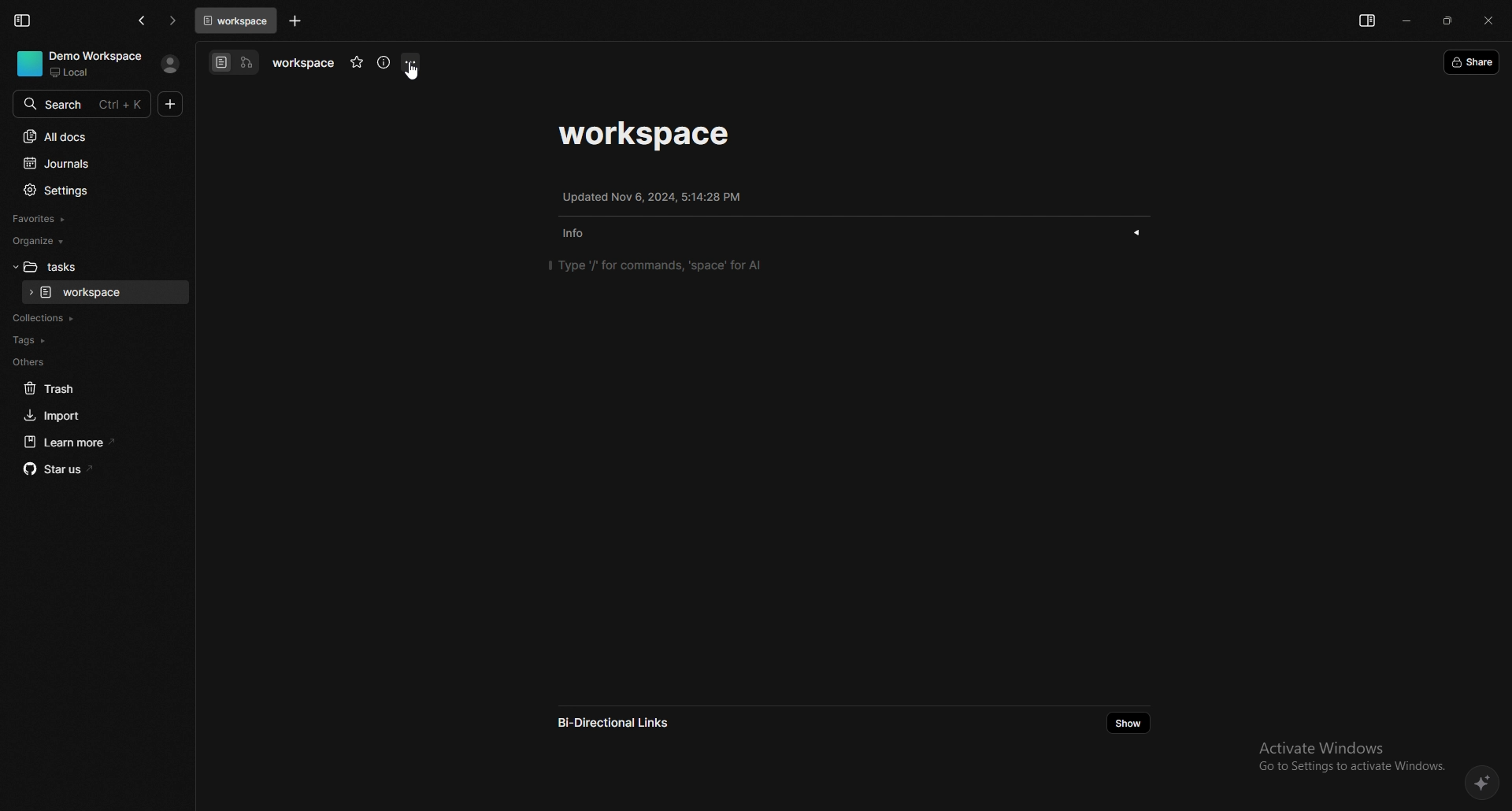 The image size is (1512, 811). What do you see at coordinates (384, 63) in the screenshot?
I see `info` at bounding box center [384, 63].